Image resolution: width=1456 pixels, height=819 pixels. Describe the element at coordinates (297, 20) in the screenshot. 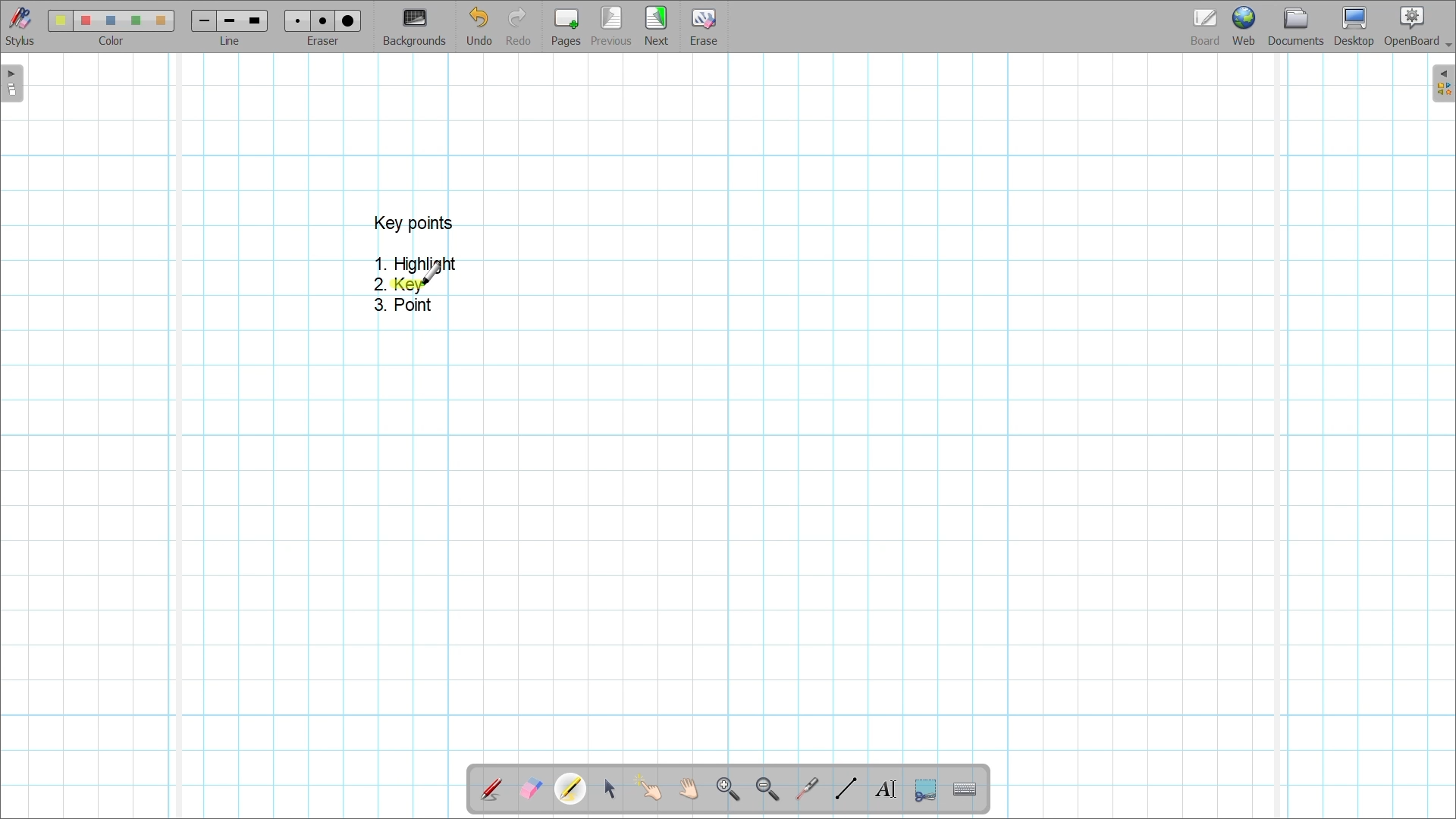

I see `Eraser 1` at that location.